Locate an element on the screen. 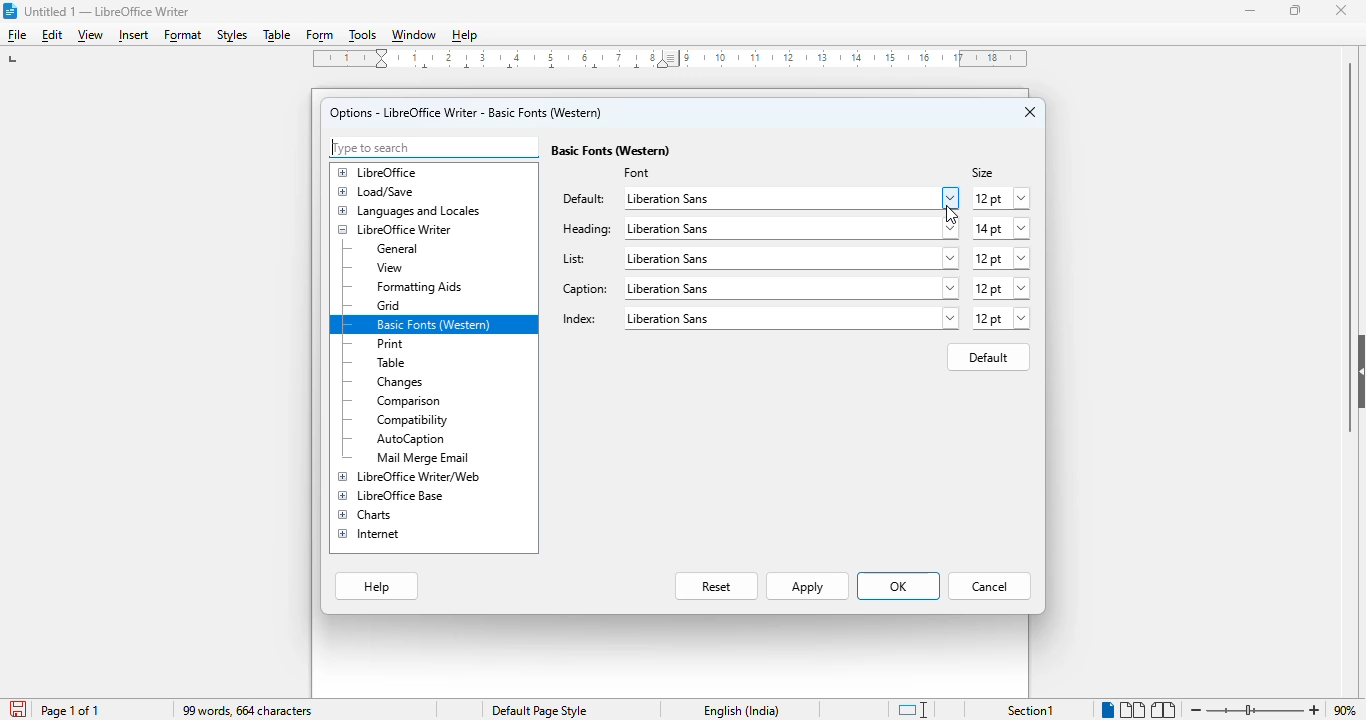 The height and width of the screenshot is (720, 1366). formatting aids is located at coordinates (419, 287).